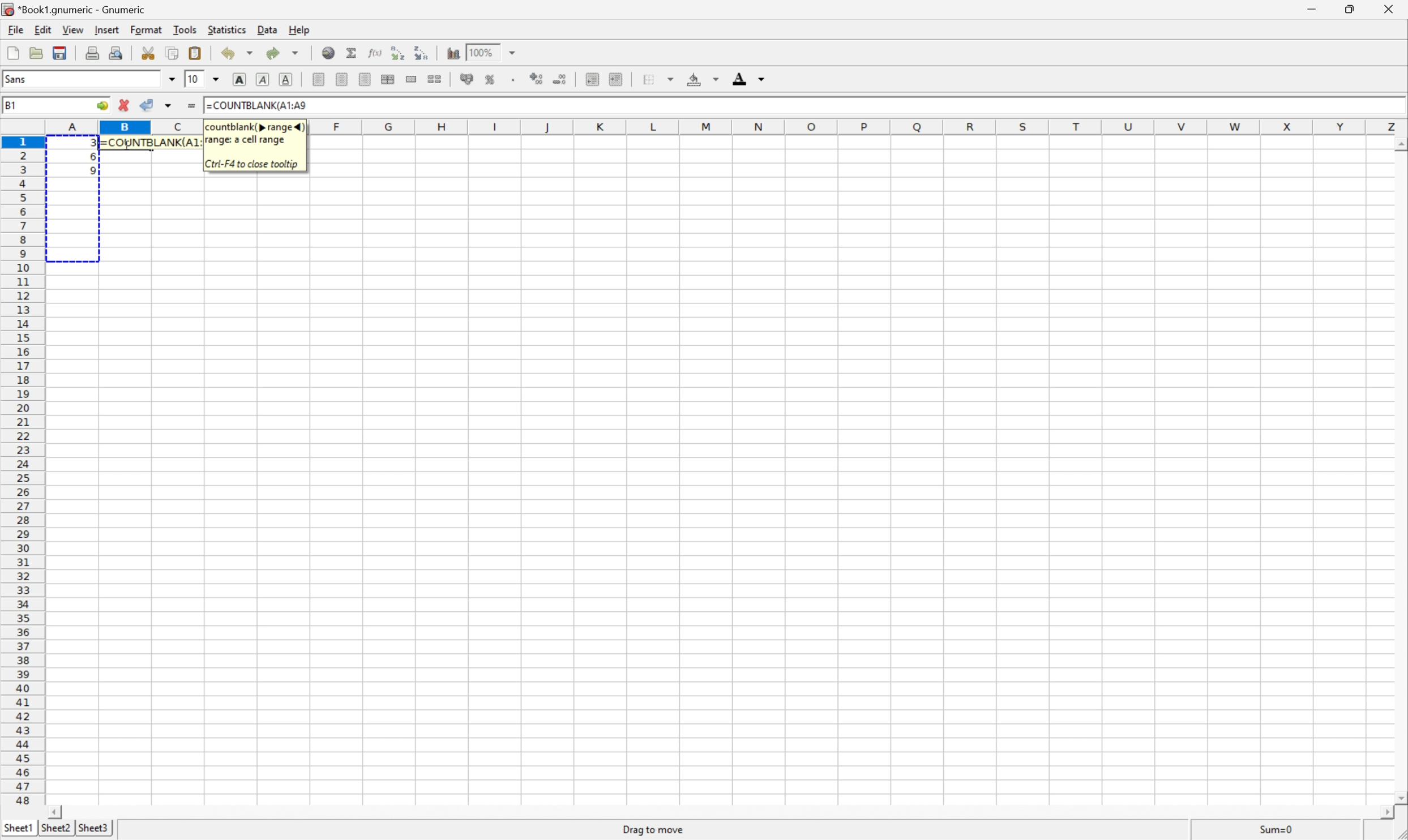 Image resolution: width=1408 pixels, height=840 pixels. Describe the element at coordinates (538, 78) in the screenshot. I see `Increase the number of decimals displayed` at that location.